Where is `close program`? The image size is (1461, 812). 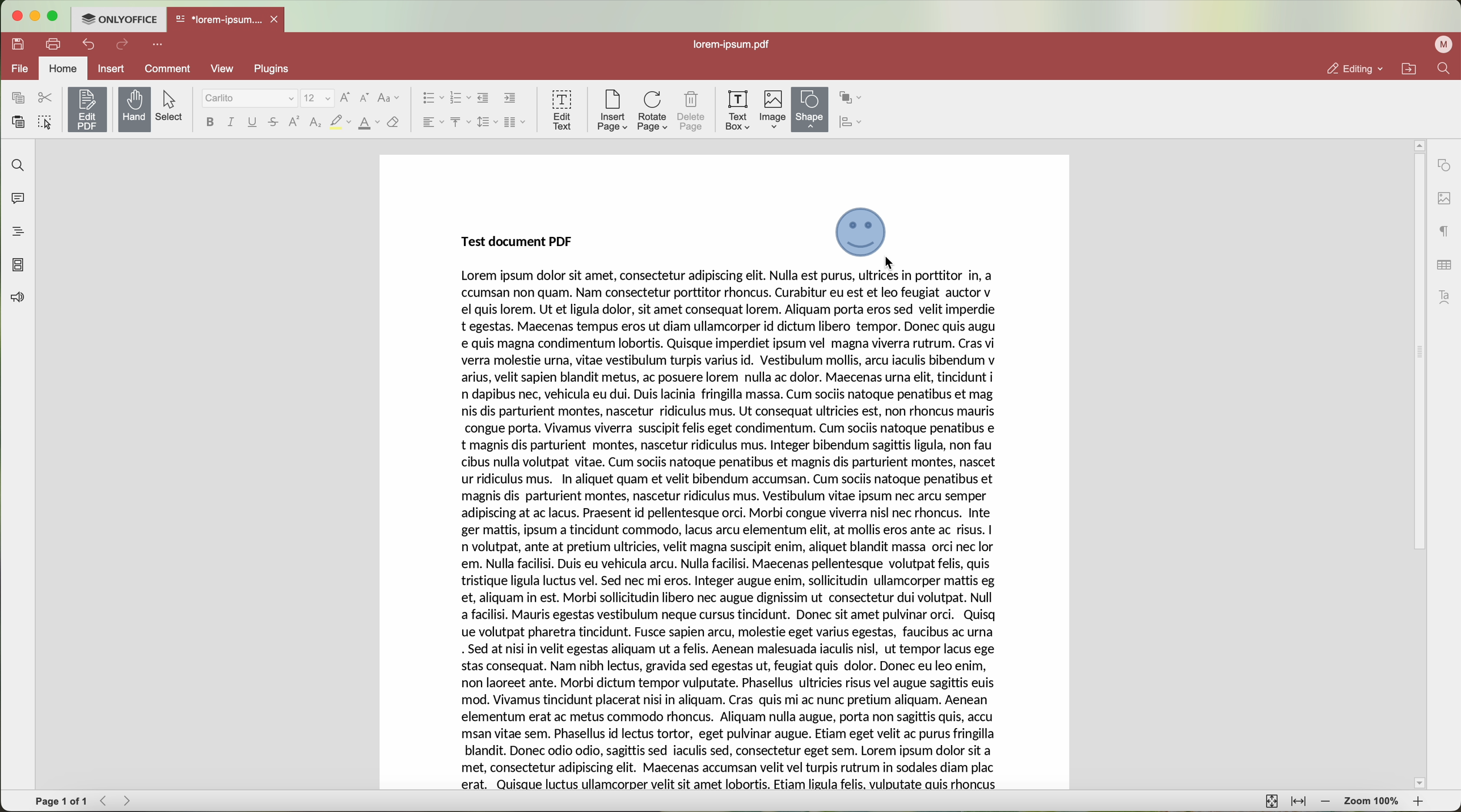
close program is located at coordinates (18, 16).